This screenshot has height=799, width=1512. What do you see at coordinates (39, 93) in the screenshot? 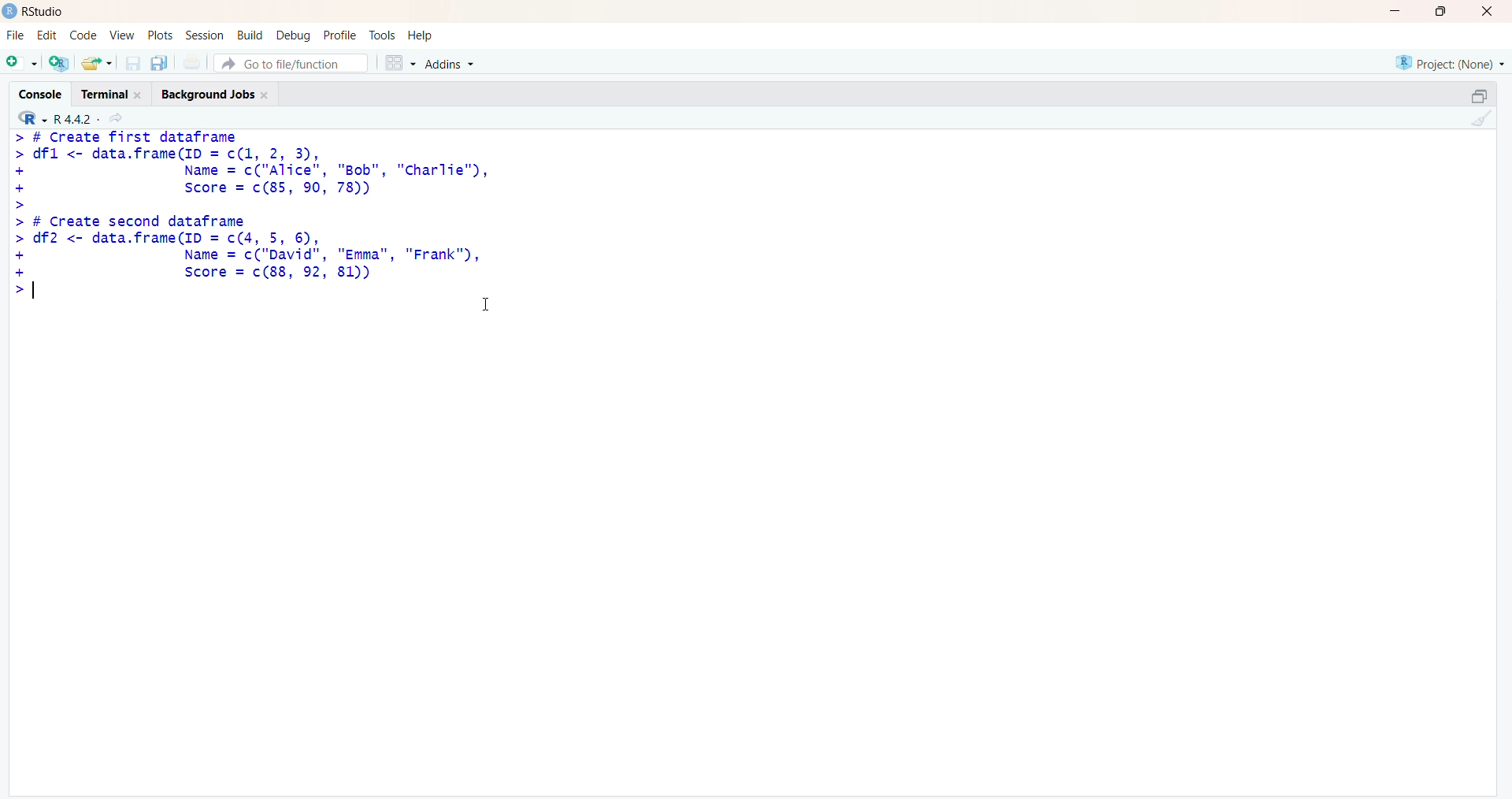
I see `Console` at bounding box center [39, 93].